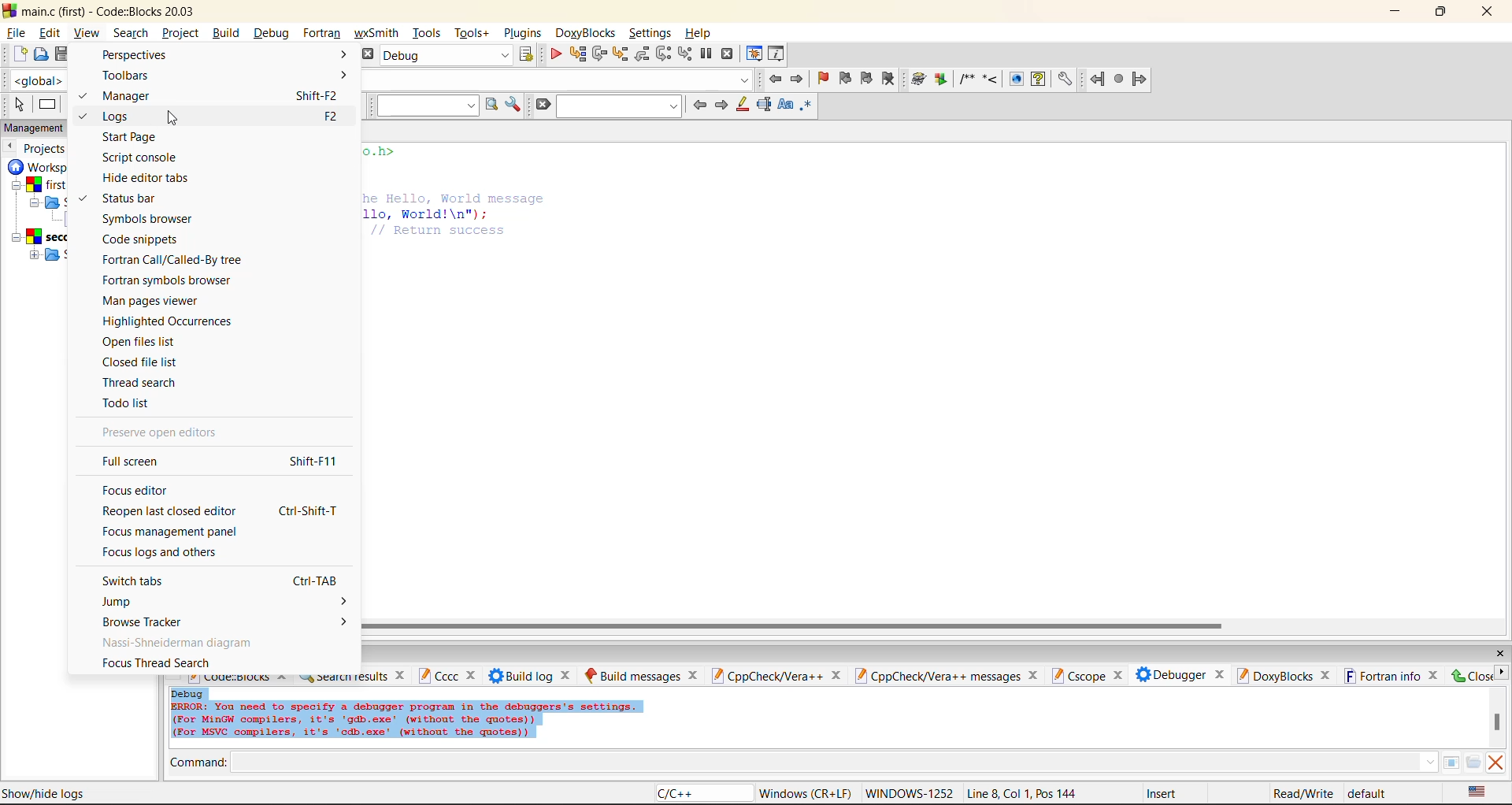  What do you see at coordinates (648, 32) in the screenshot?
I see `settings` at bounding box center [648, 32].